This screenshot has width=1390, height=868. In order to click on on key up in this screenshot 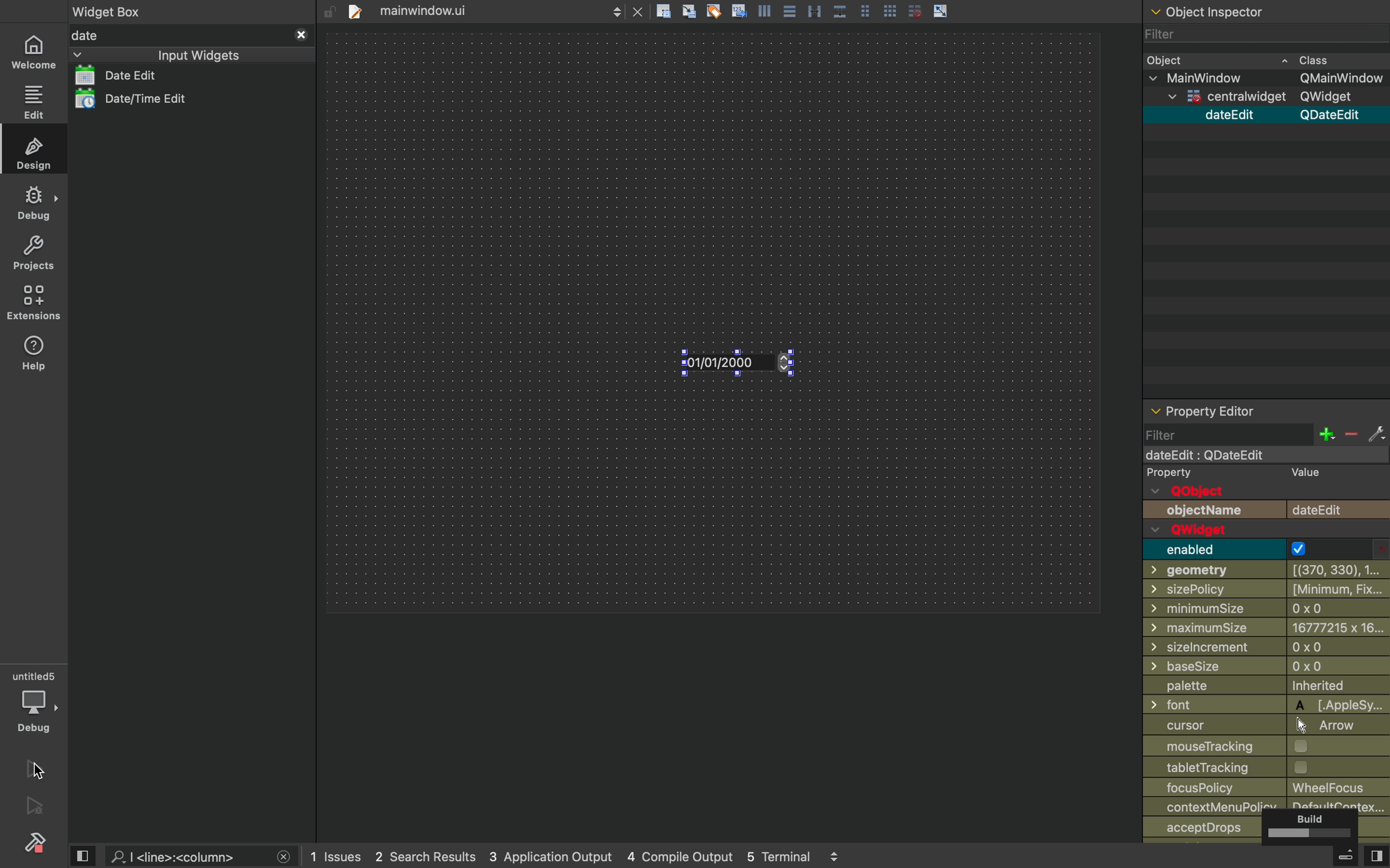, I will do `click(749, 365)`.